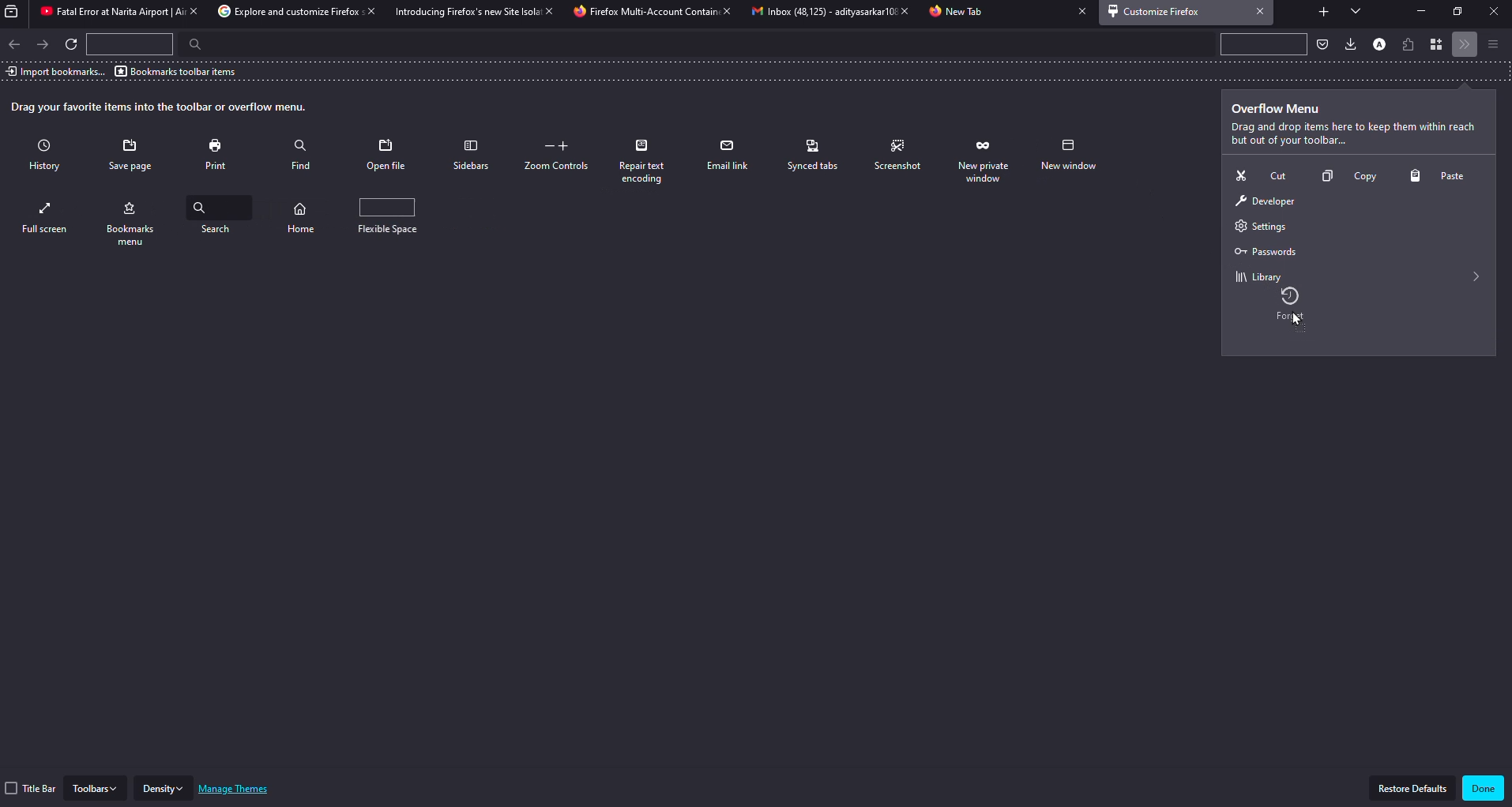  I want to click on private window, so click(1067, 156).